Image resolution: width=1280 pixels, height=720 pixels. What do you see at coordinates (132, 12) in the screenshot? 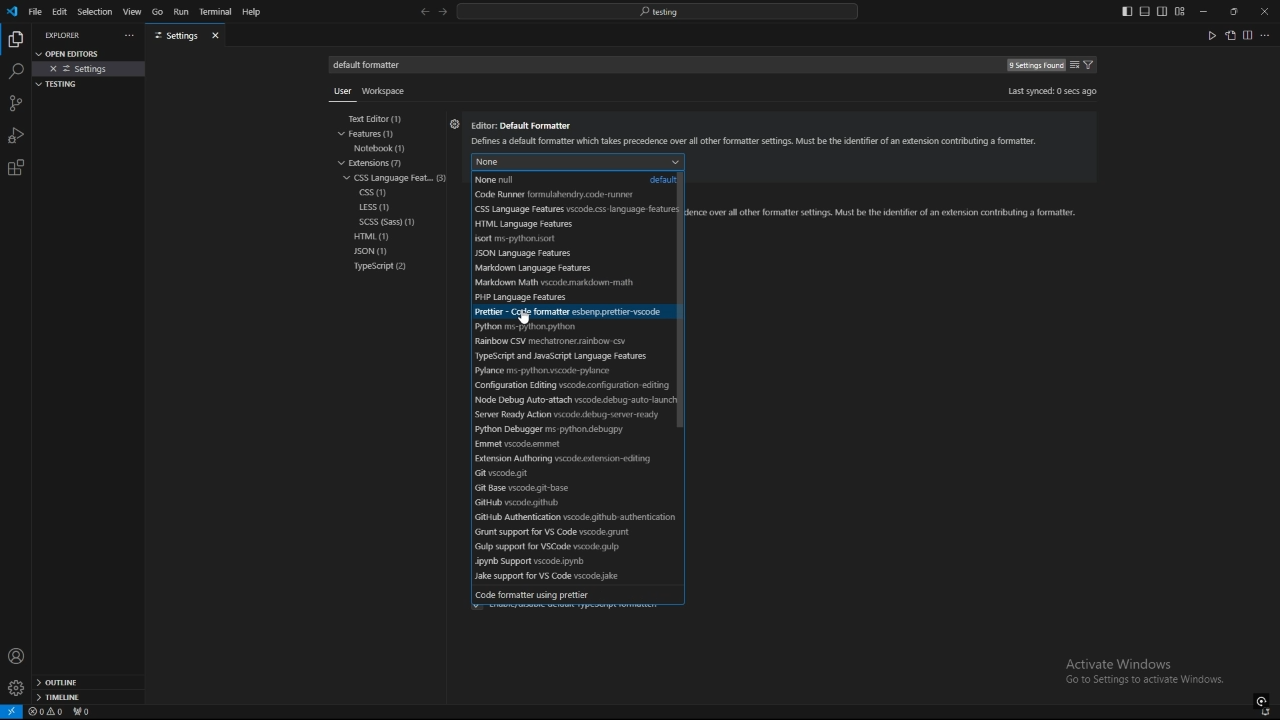
I see `view` at bounding box center [132, 12].